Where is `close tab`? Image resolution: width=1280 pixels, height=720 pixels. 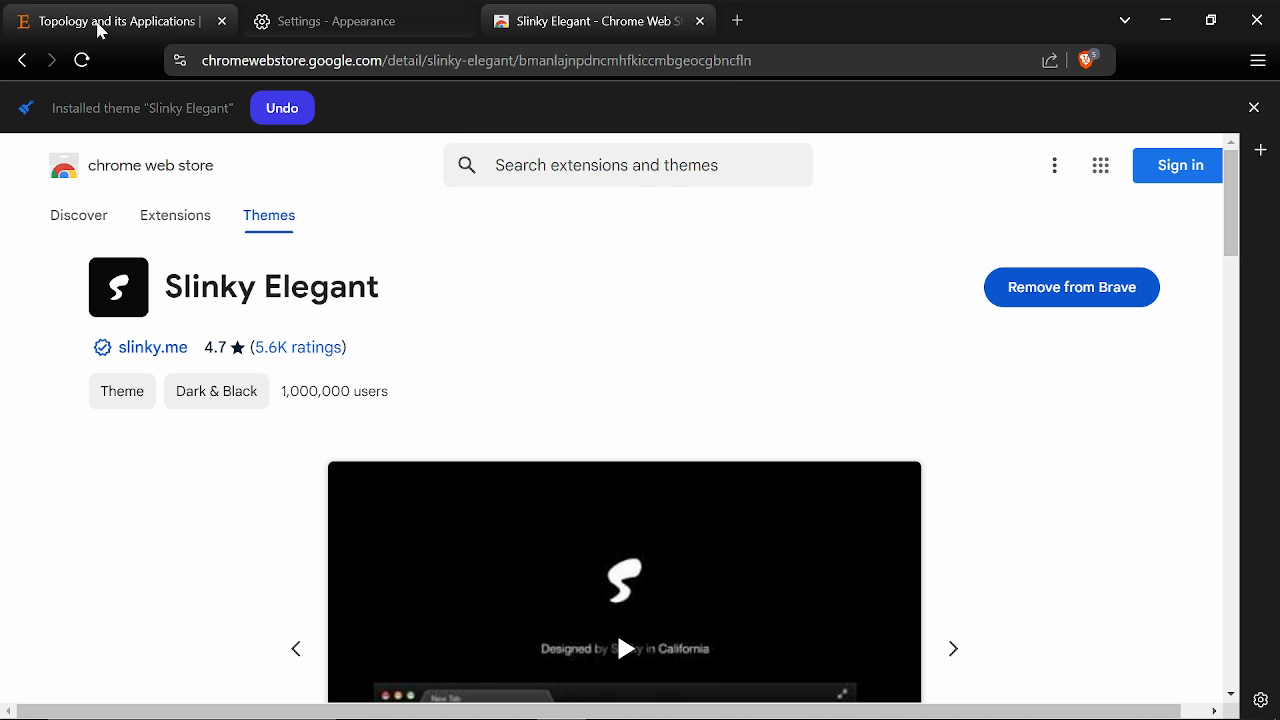 close tab is located at coordinates (224, 23).